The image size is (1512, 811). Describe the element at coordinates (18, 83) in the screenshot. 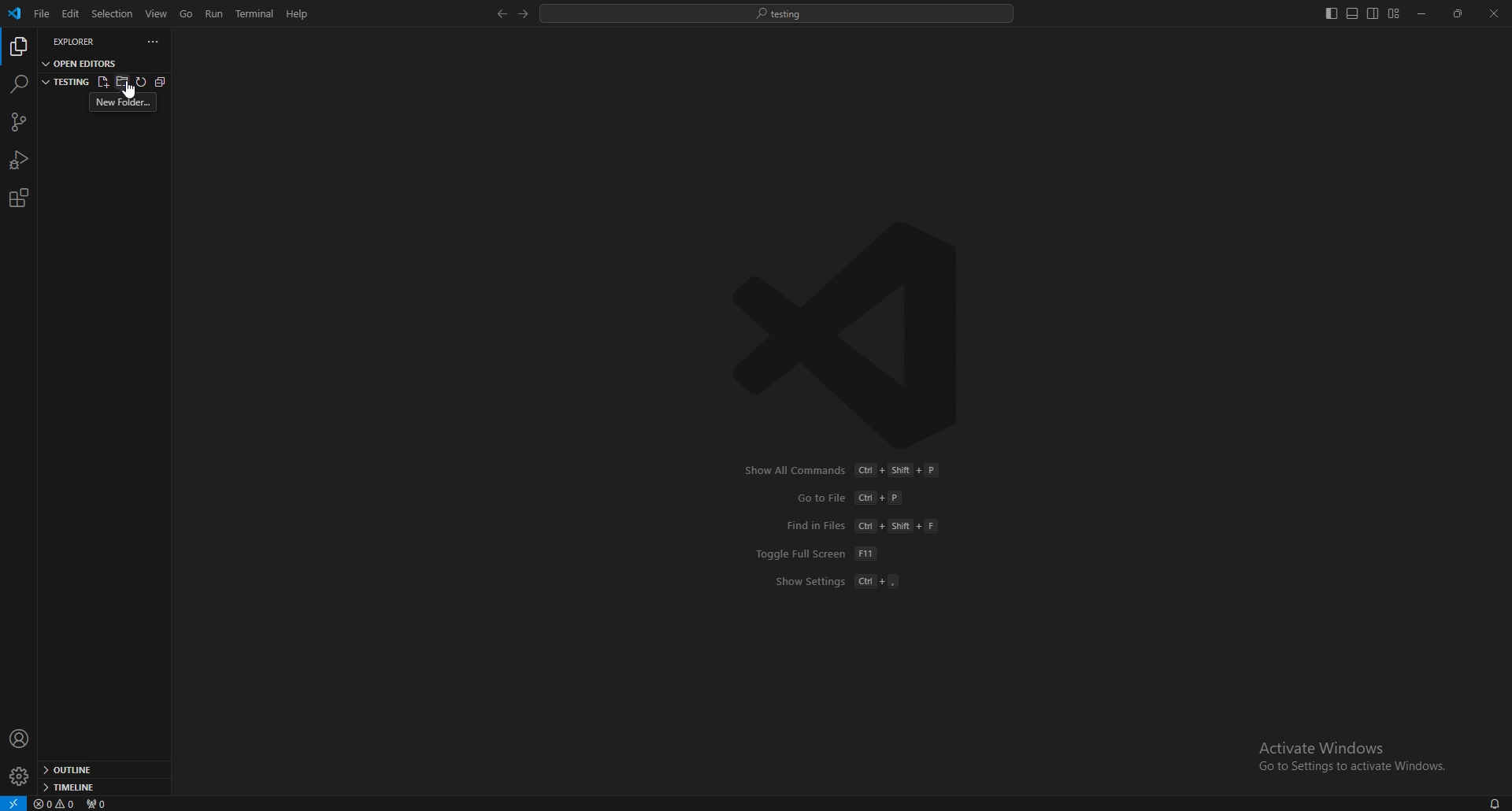

I see `search` at that location.